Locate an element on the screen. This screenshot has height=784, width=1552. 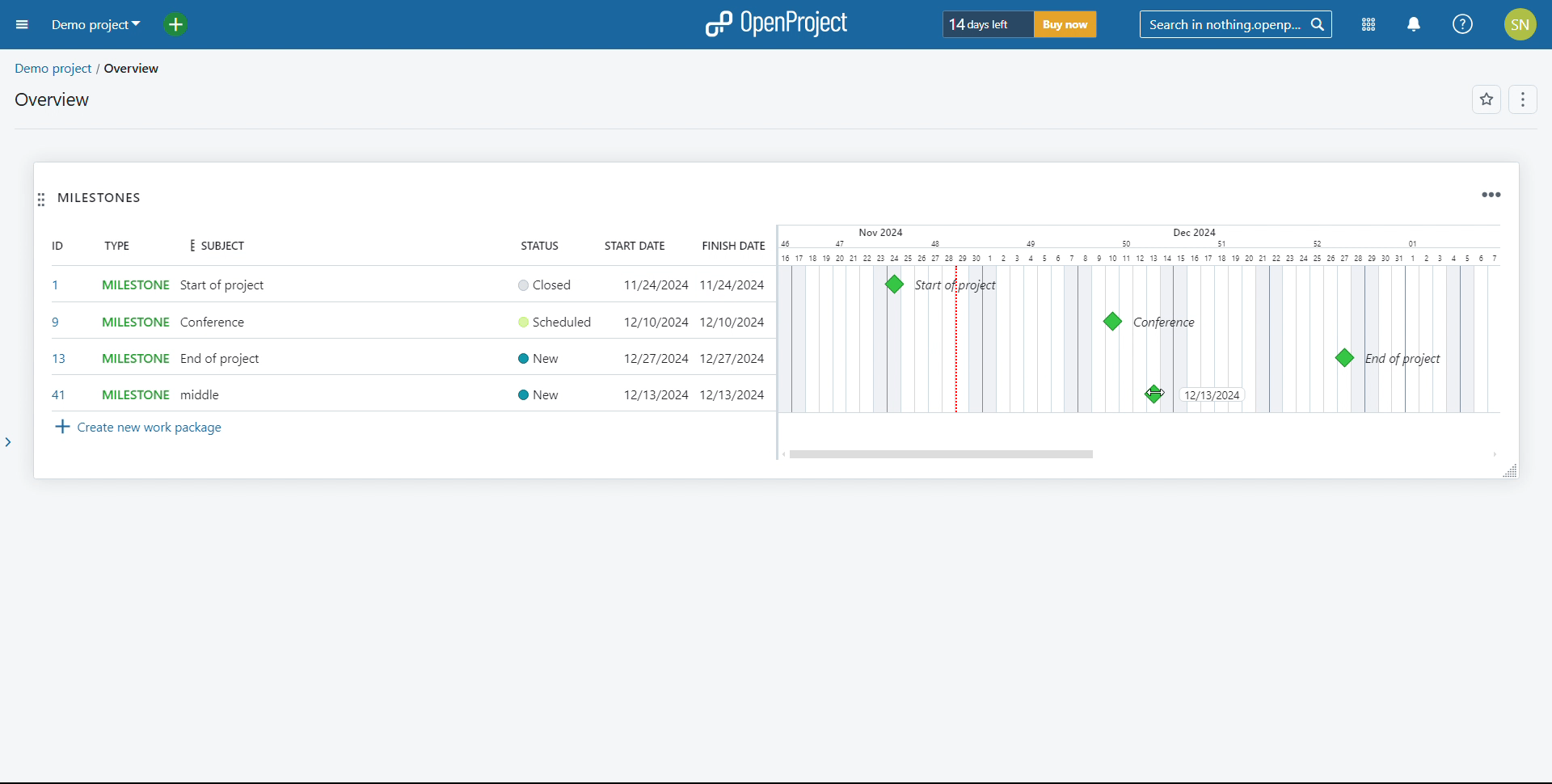
date is located at coordinates (1212, 396).